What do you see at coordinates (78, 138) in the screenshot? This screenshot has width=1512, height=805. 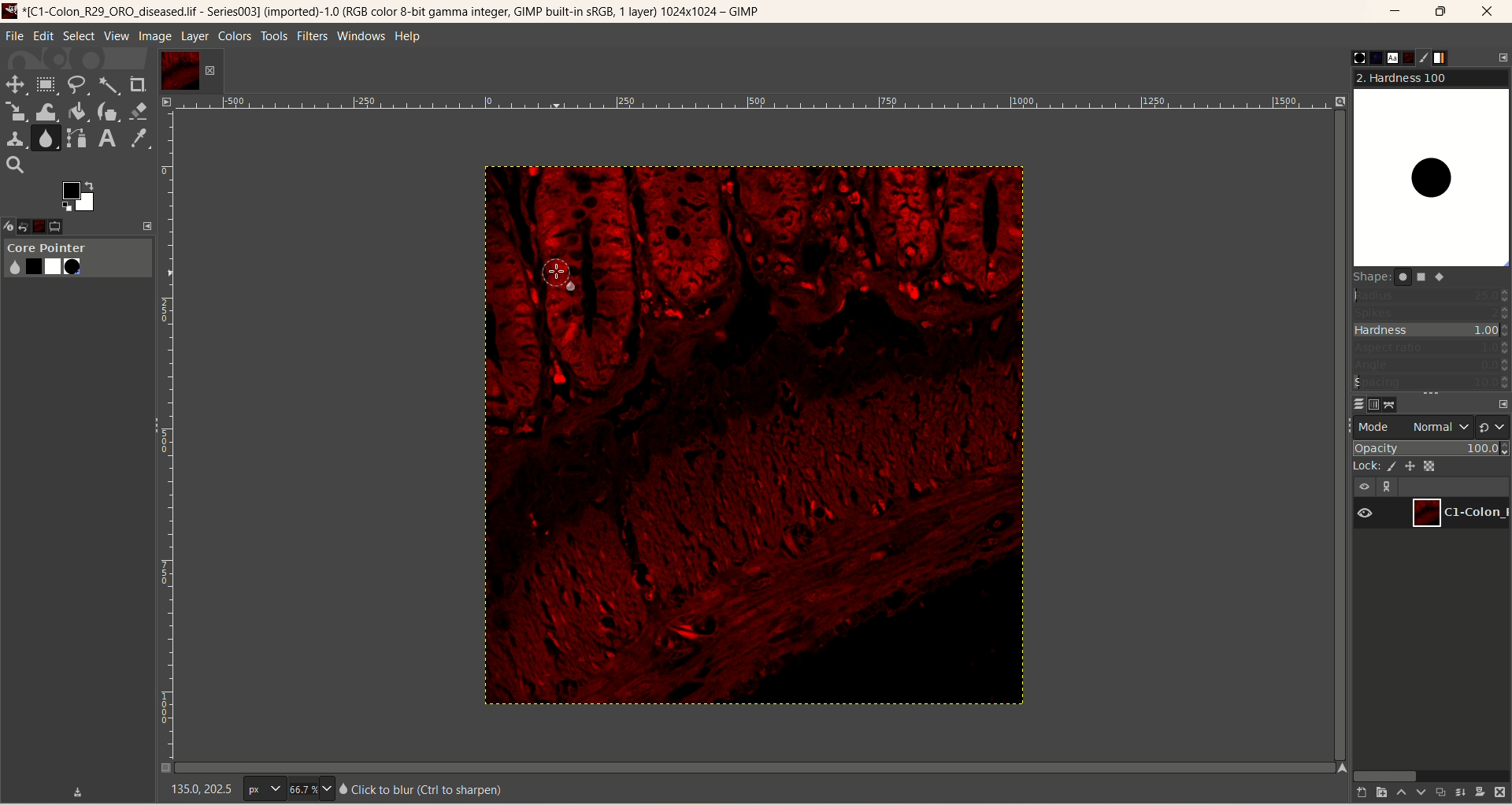 I see `path tool` at bounding box center [78, 138].